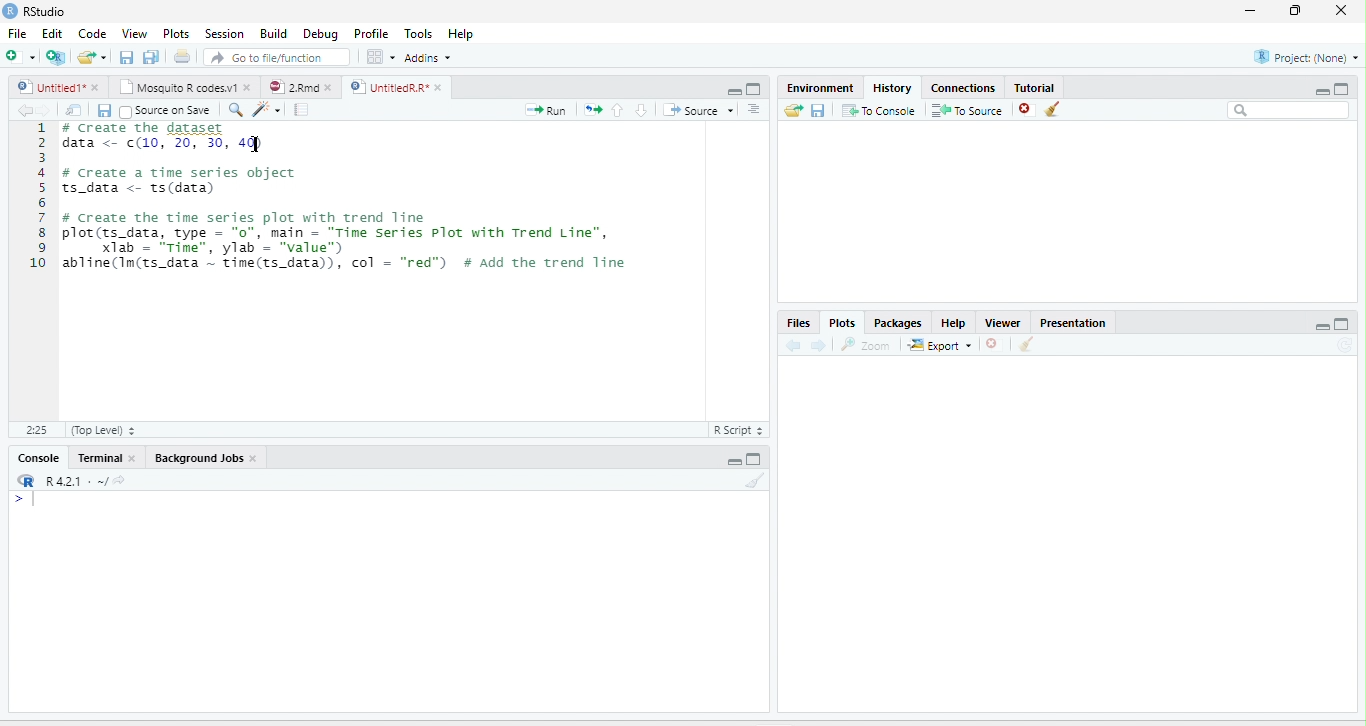 The image size is (1366, 726). I want to click on RStudio, so click(34, 10).